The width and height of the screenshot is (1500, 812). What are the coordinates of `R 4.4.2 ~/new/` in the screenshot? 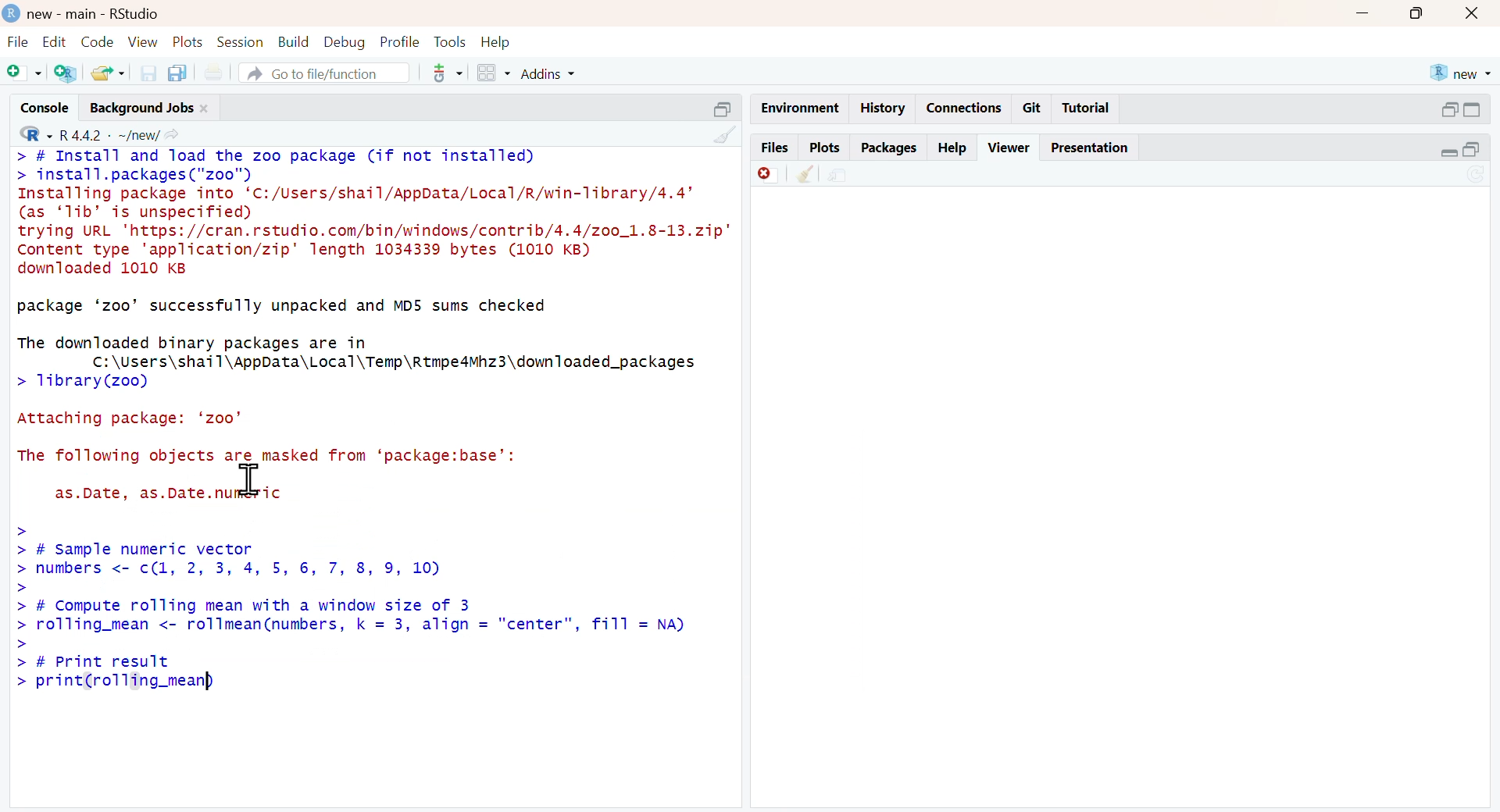 It's located at (111, 134).